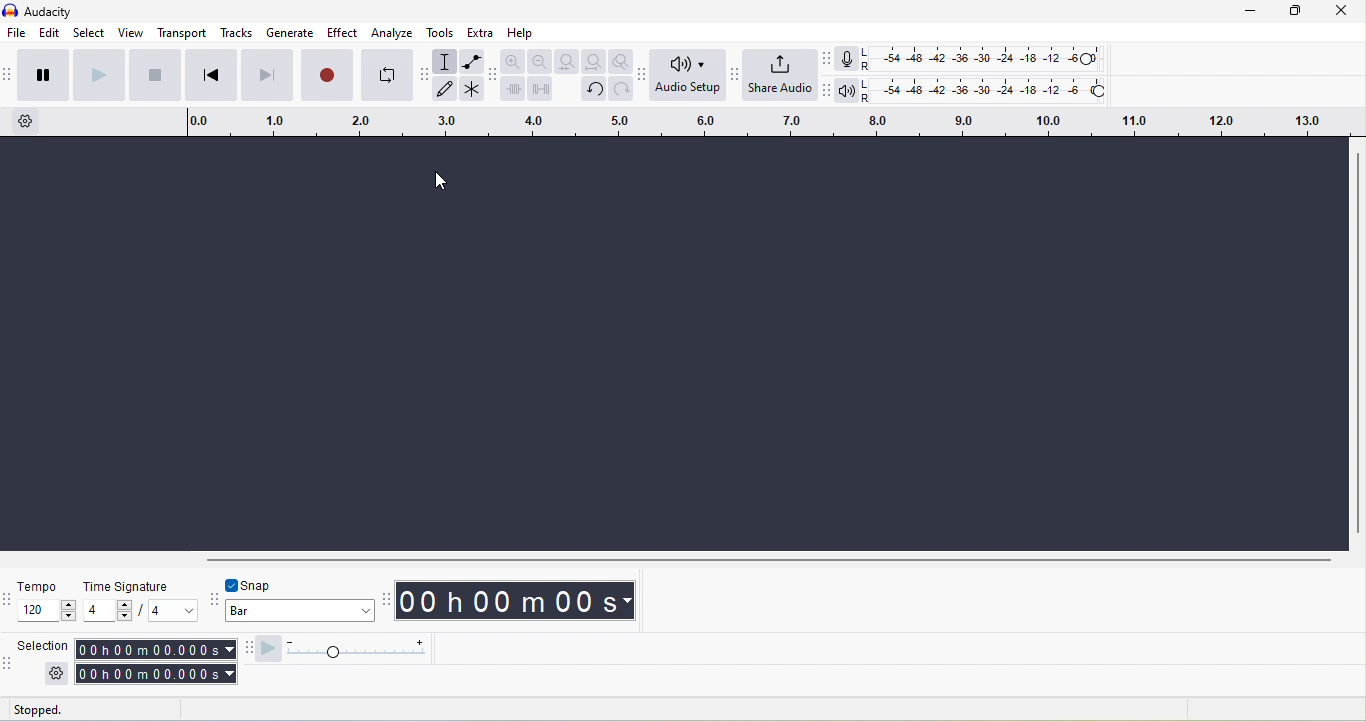 The height and width of the screenshot is (722, 1366). I want to click on click and drag to define a looping region, so click(764, 123).